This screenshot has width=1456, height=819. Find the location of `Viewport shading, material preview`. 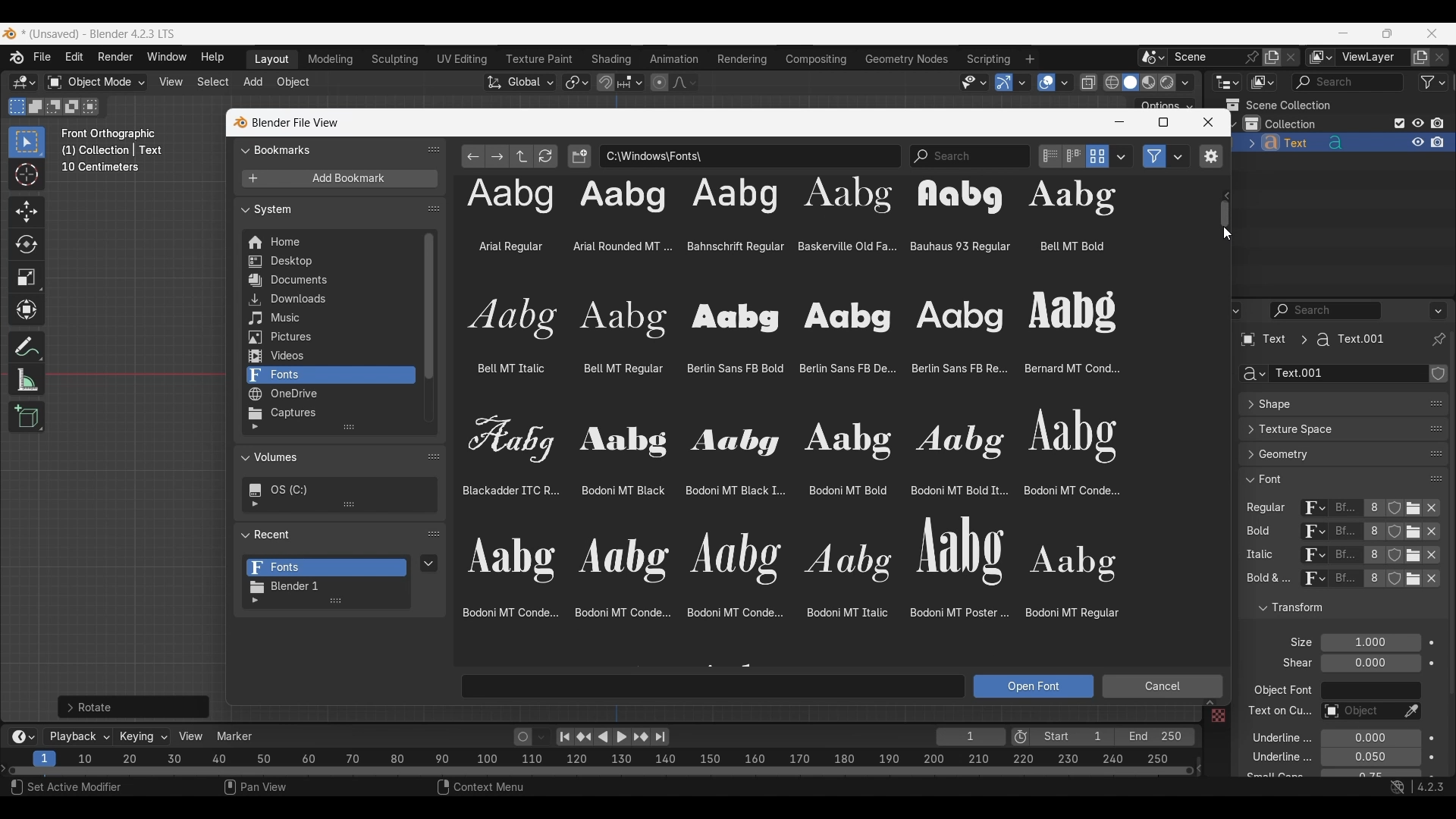

Viewport shading, material preview is located at coordinates (1148, 82).